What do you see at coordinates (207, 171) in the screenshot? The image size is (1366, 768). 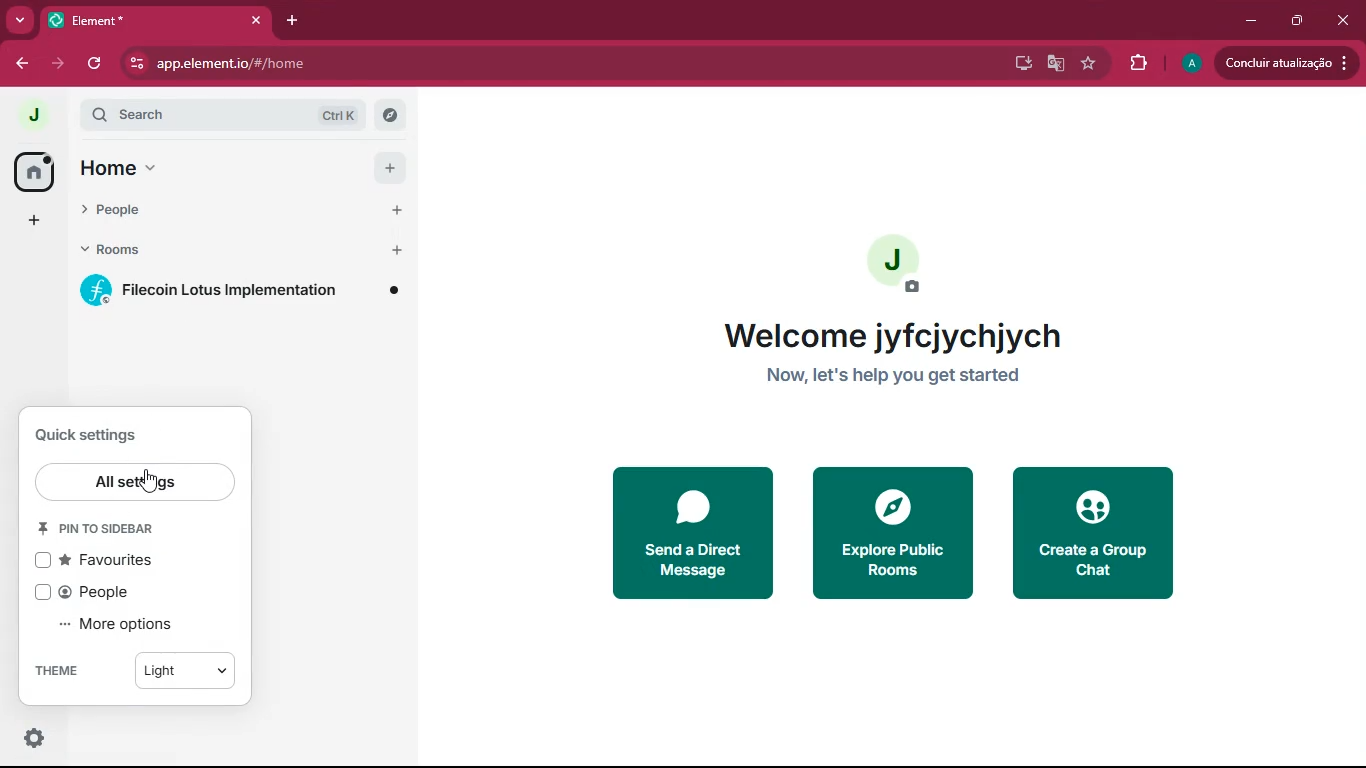 I see `home` at bounding box center [207, 171].